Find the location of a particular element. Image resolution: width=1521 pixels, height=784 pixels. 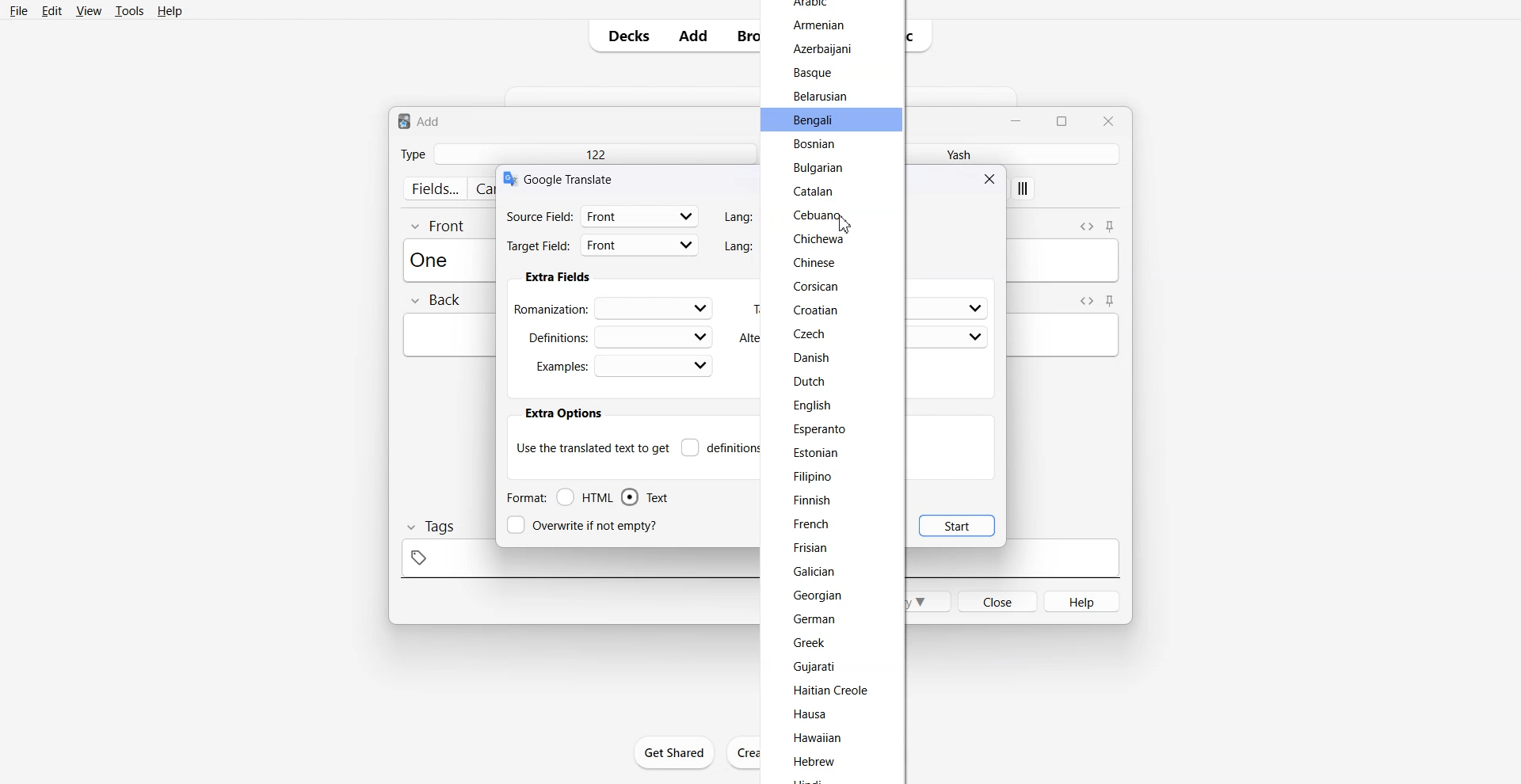

Toggle HTML Editor is located at coordinates (1086, 225).